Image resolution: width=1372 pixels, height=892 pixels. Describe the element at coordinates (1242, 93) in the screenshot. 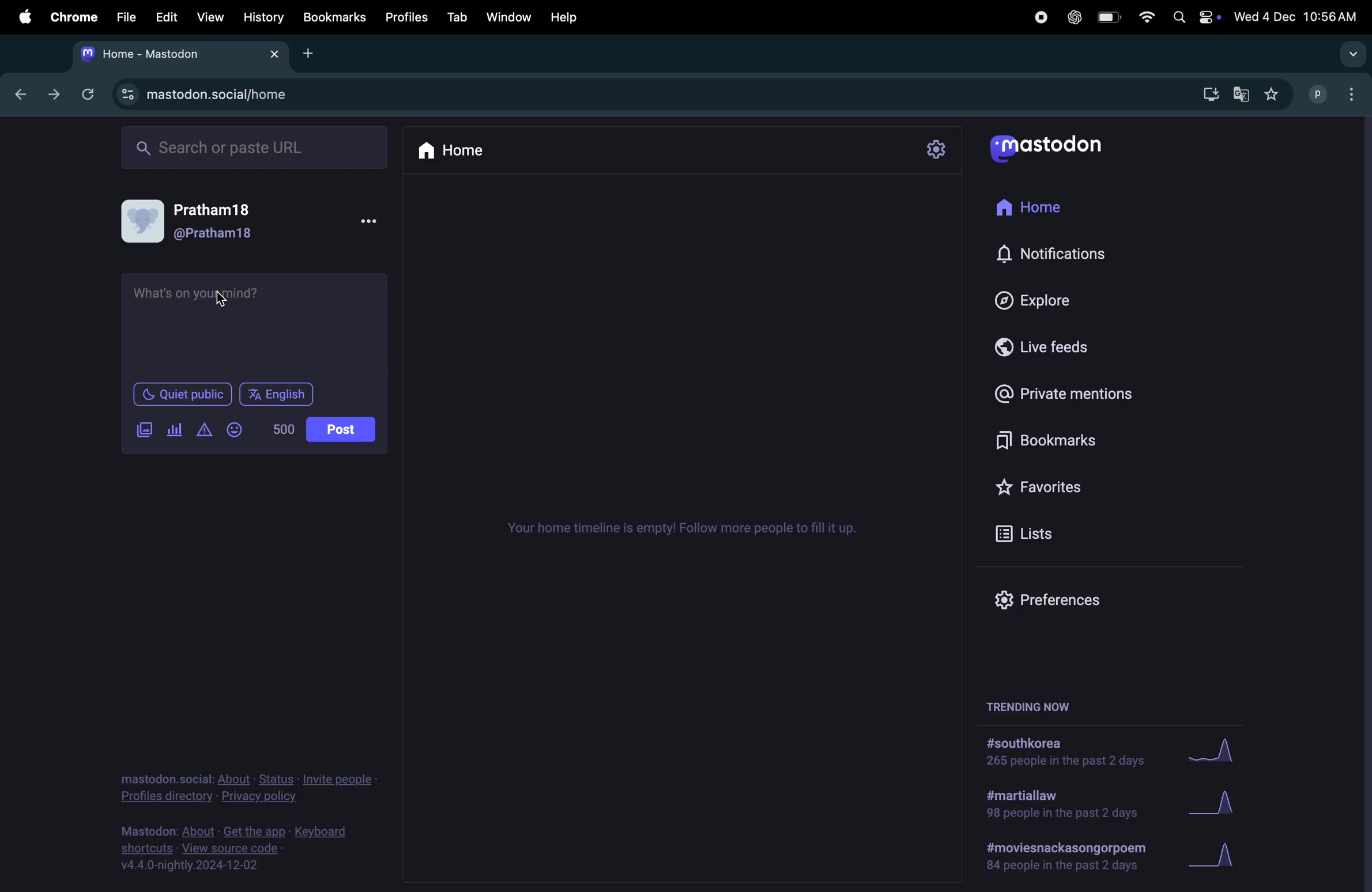

I see `Google translate` at that location.